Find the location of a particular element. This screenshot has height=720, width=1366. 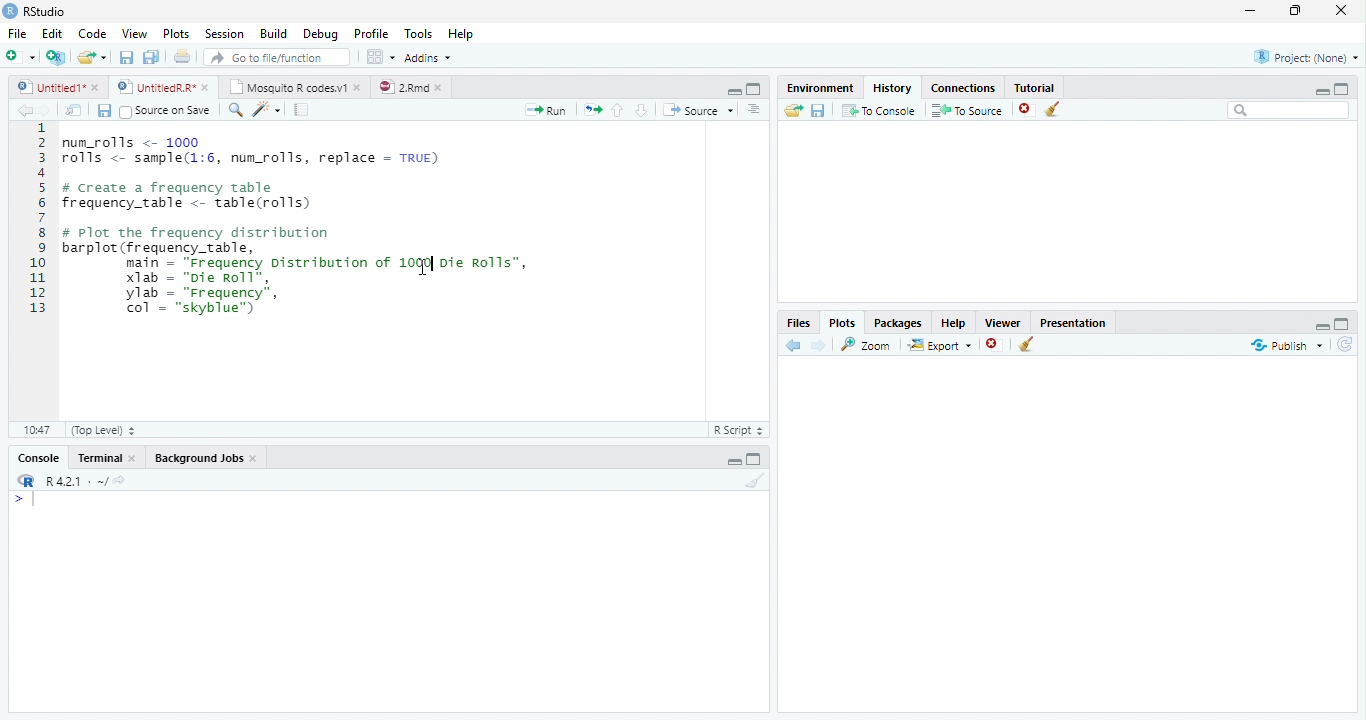

Show in new window is located at coordinates (76, 110).